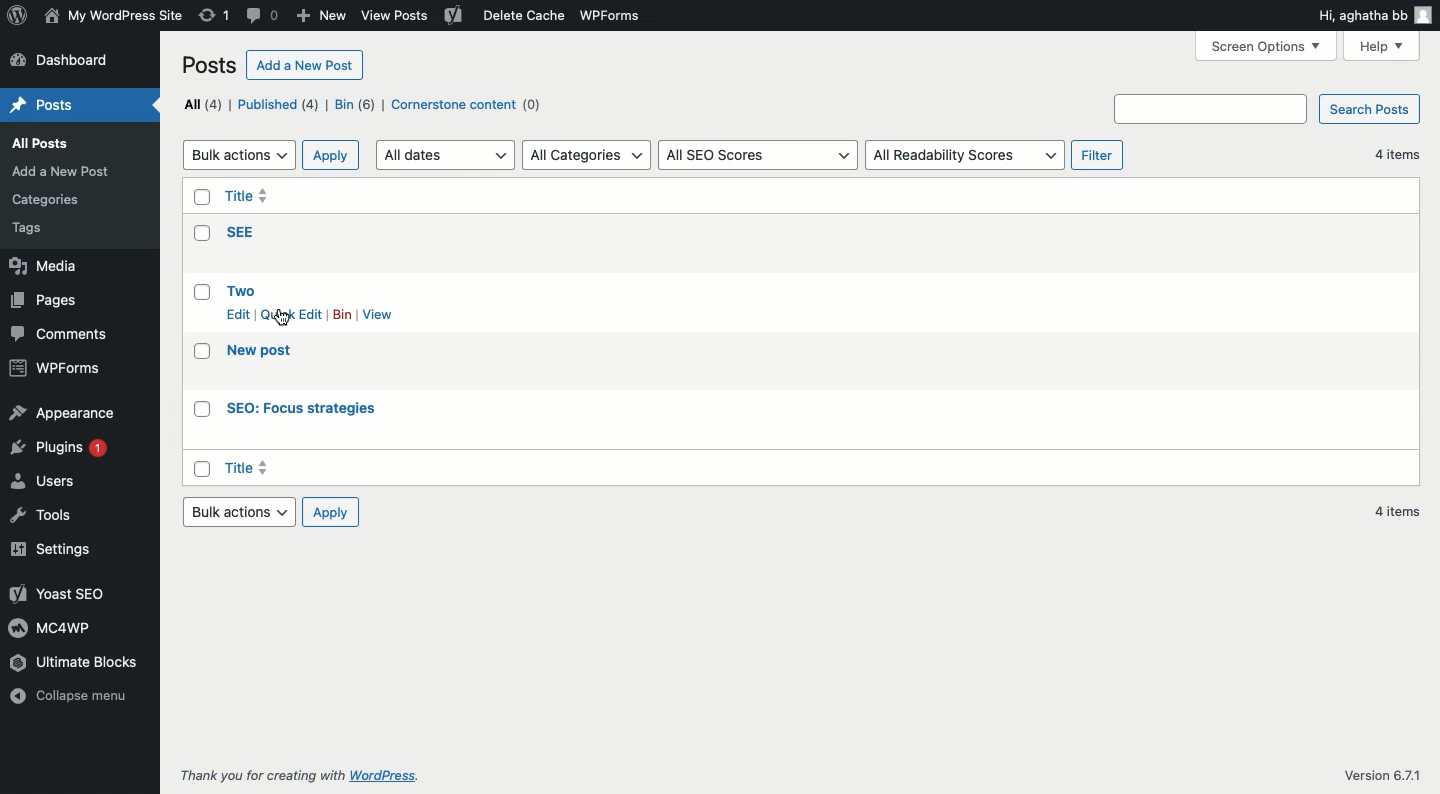 This screenshot has width=1440, height=794. I want to click on Collapse menu, so click(72, 706).